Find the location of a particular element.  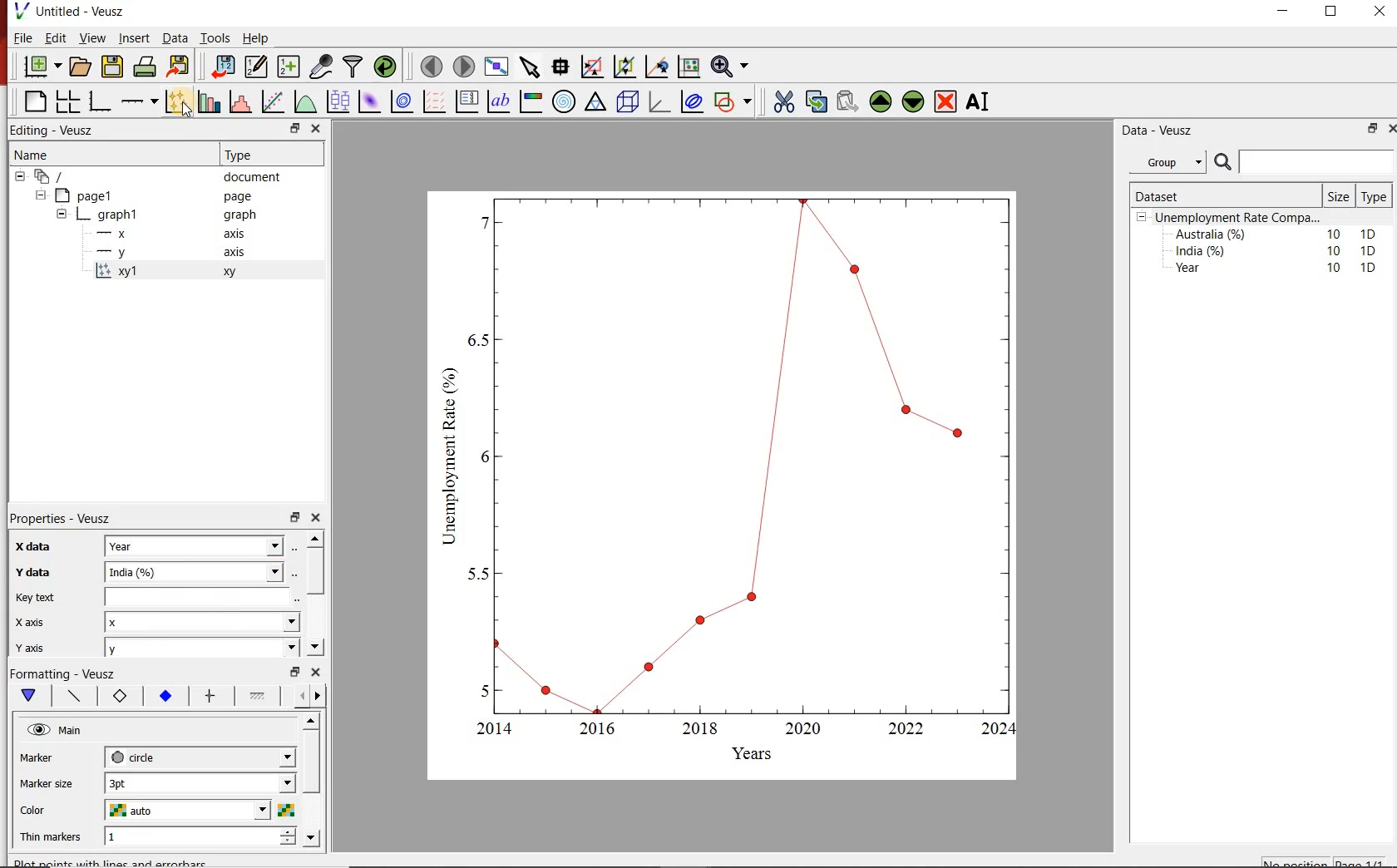

create new datasets is located at coordinates (288, 67).